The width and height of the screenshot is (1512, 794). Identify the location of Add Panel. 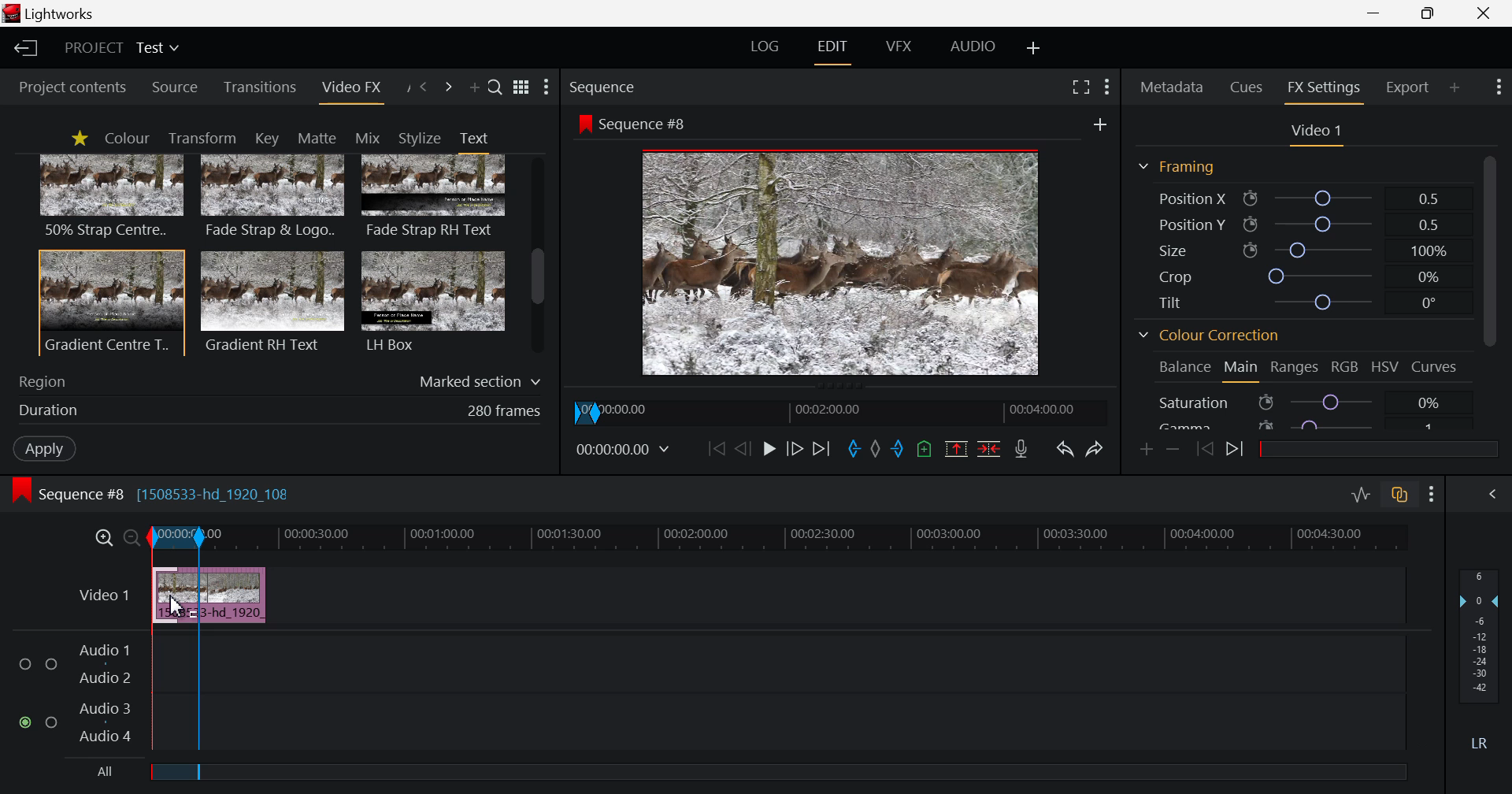
(1455, 85).